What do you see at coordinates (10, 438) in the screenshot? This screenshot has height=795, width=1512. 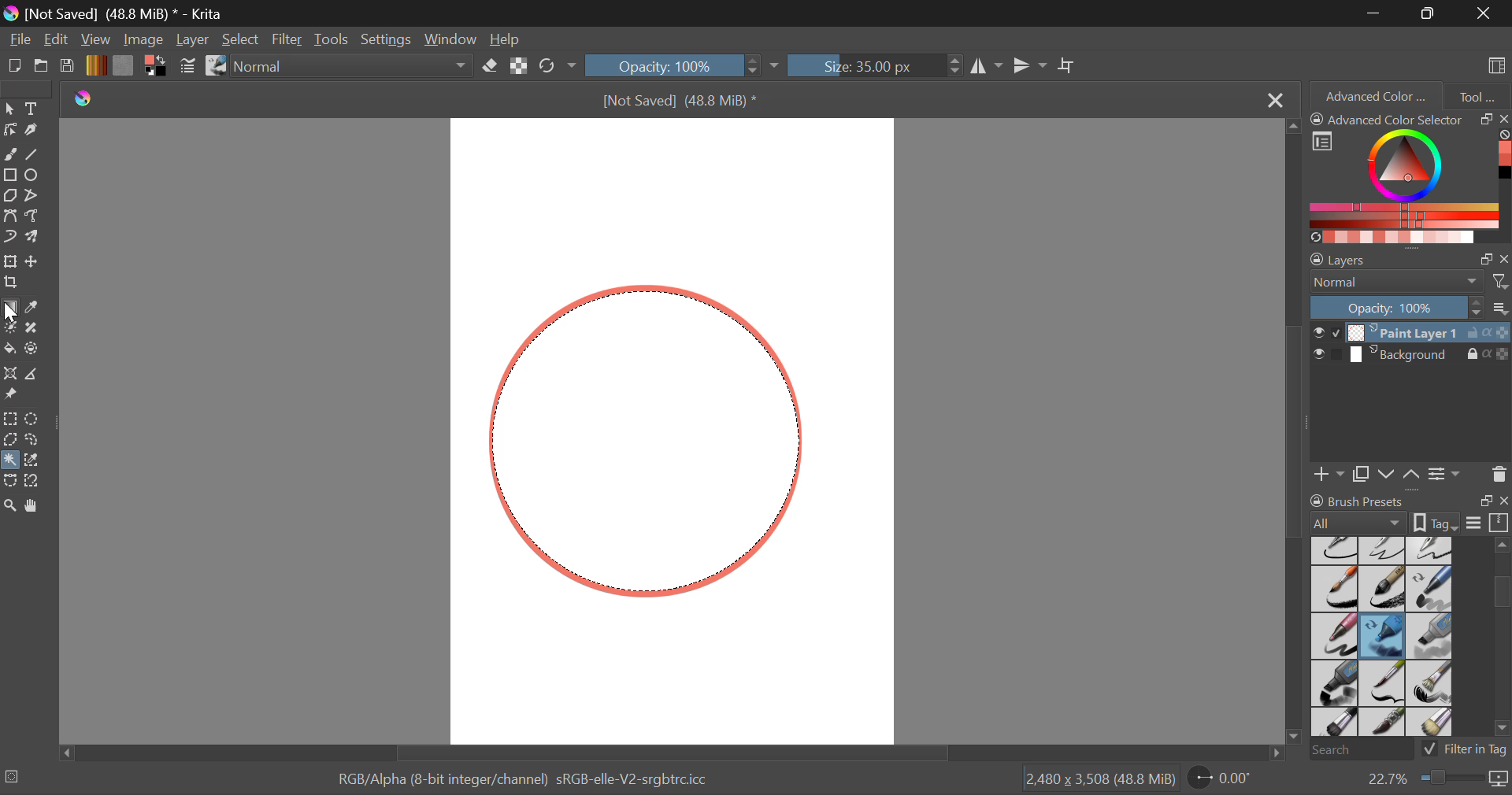 I see `Polygonal Selection Tool` at bounding box center [10, 438].